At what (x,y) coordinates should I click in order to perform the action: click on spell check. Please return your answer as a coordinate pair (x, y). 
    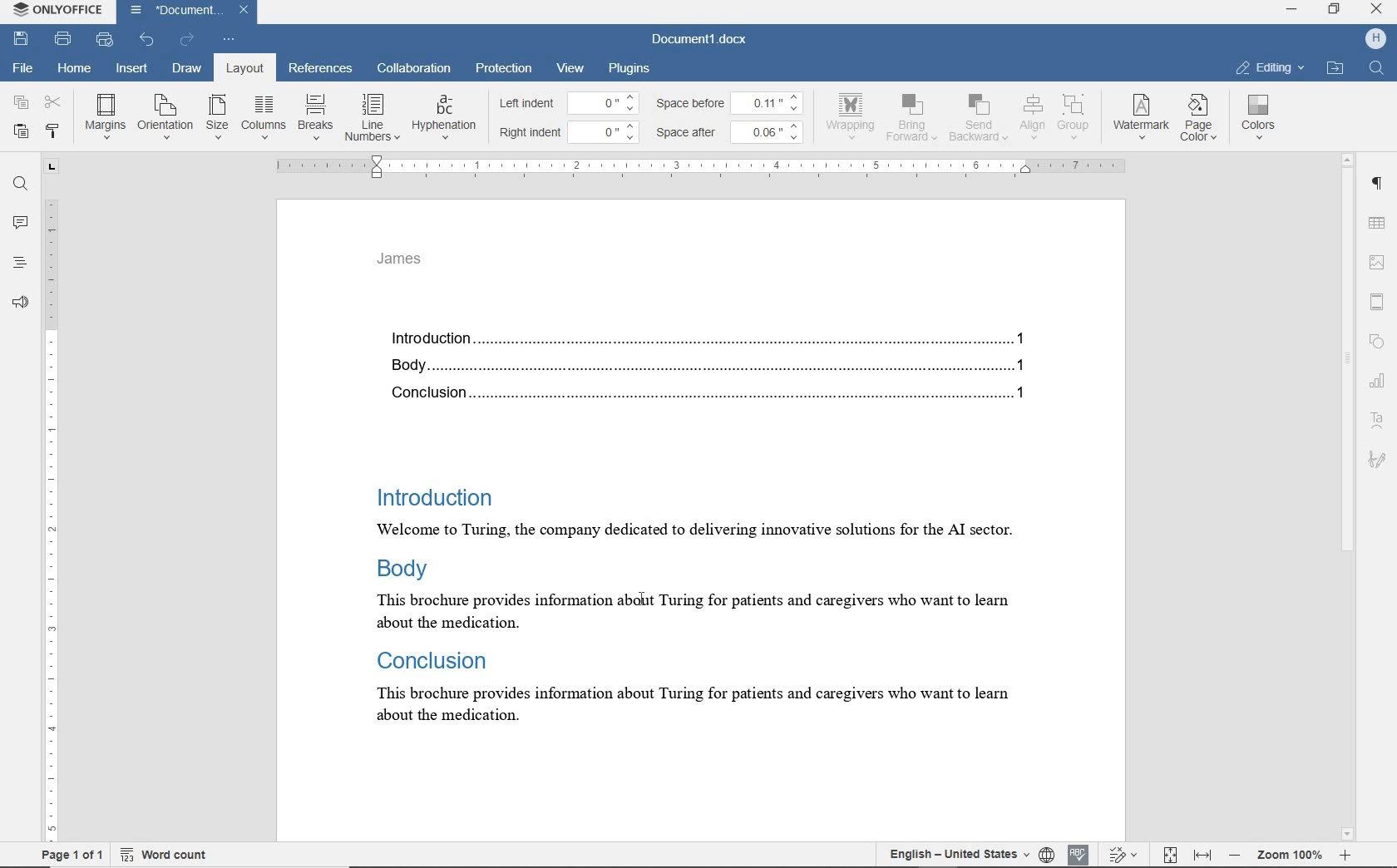
    Looking at the image, I should click on (1079, 853).